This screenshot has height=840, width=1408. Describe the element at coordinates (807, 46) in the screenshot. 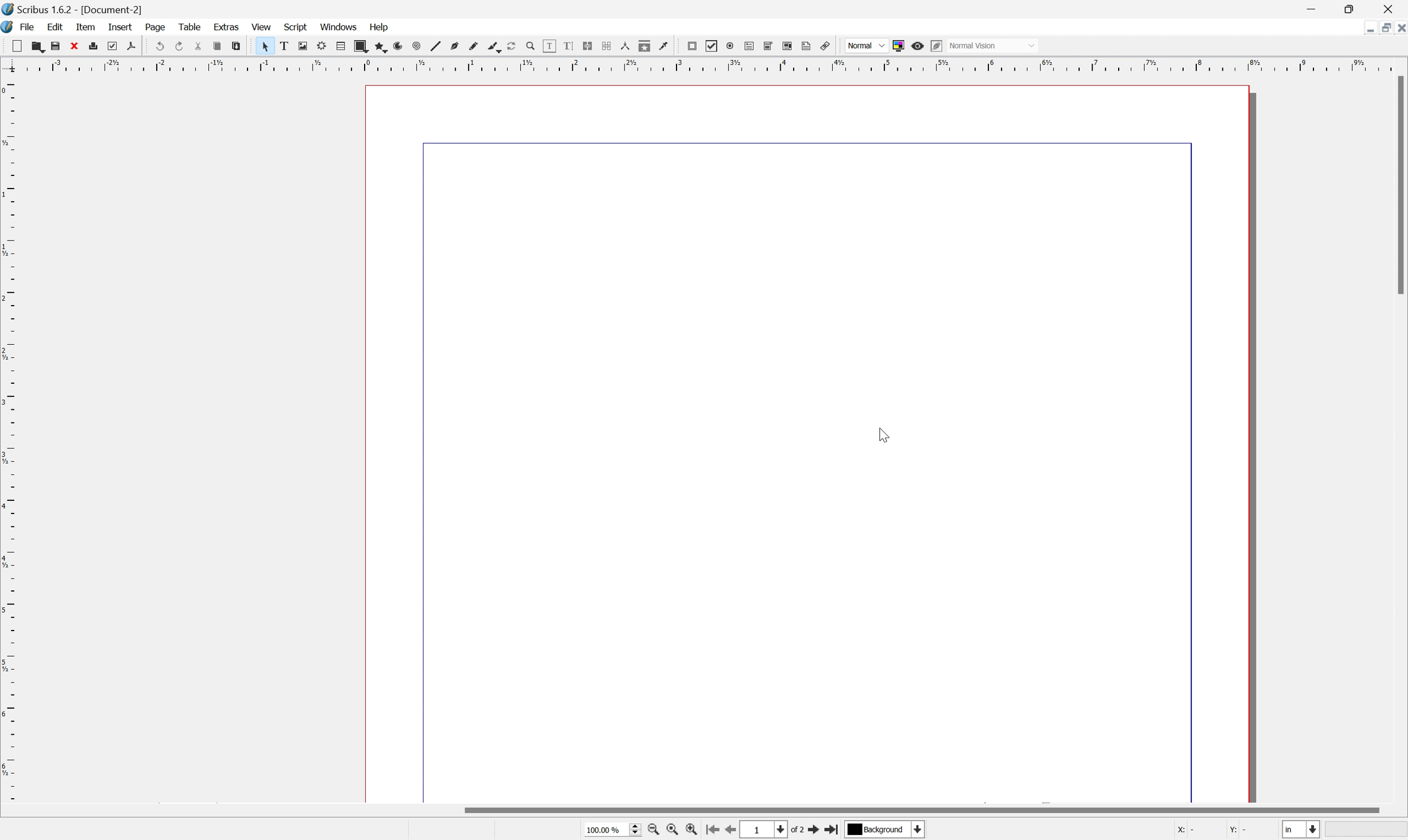

I see `text annotation` at that location.